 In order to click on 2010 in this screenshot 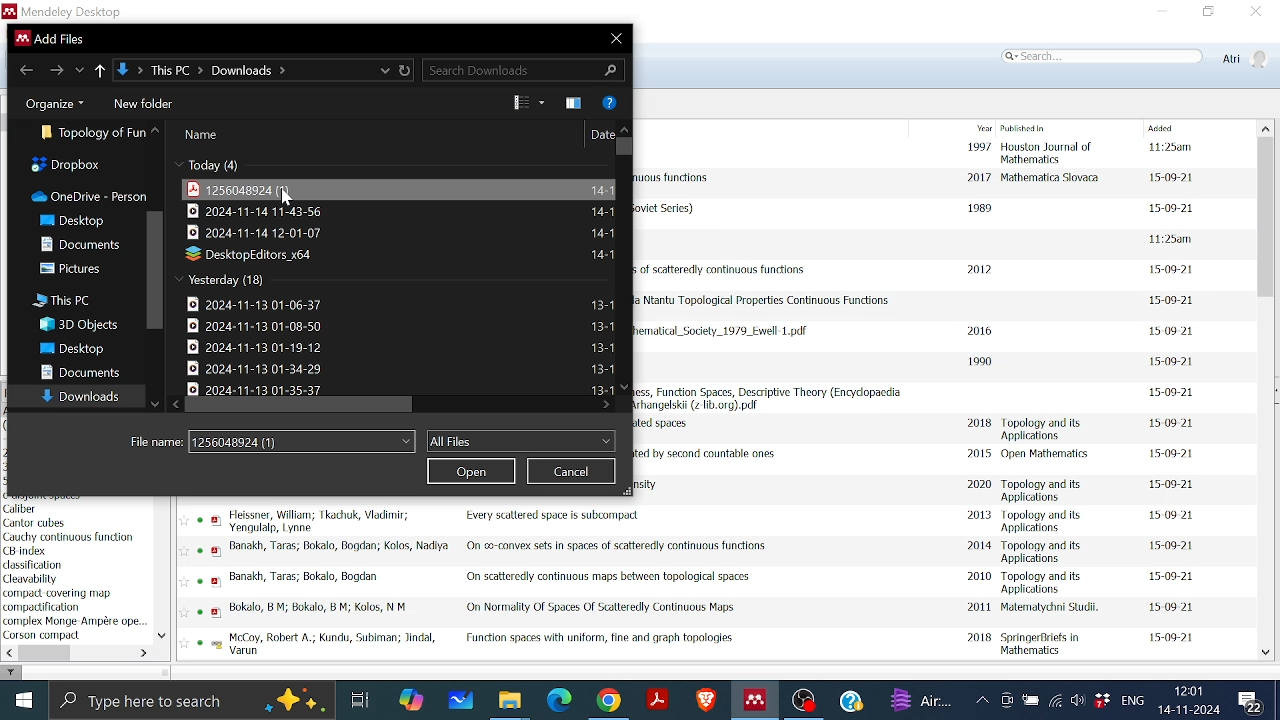, I will do `click(980, 577)`.